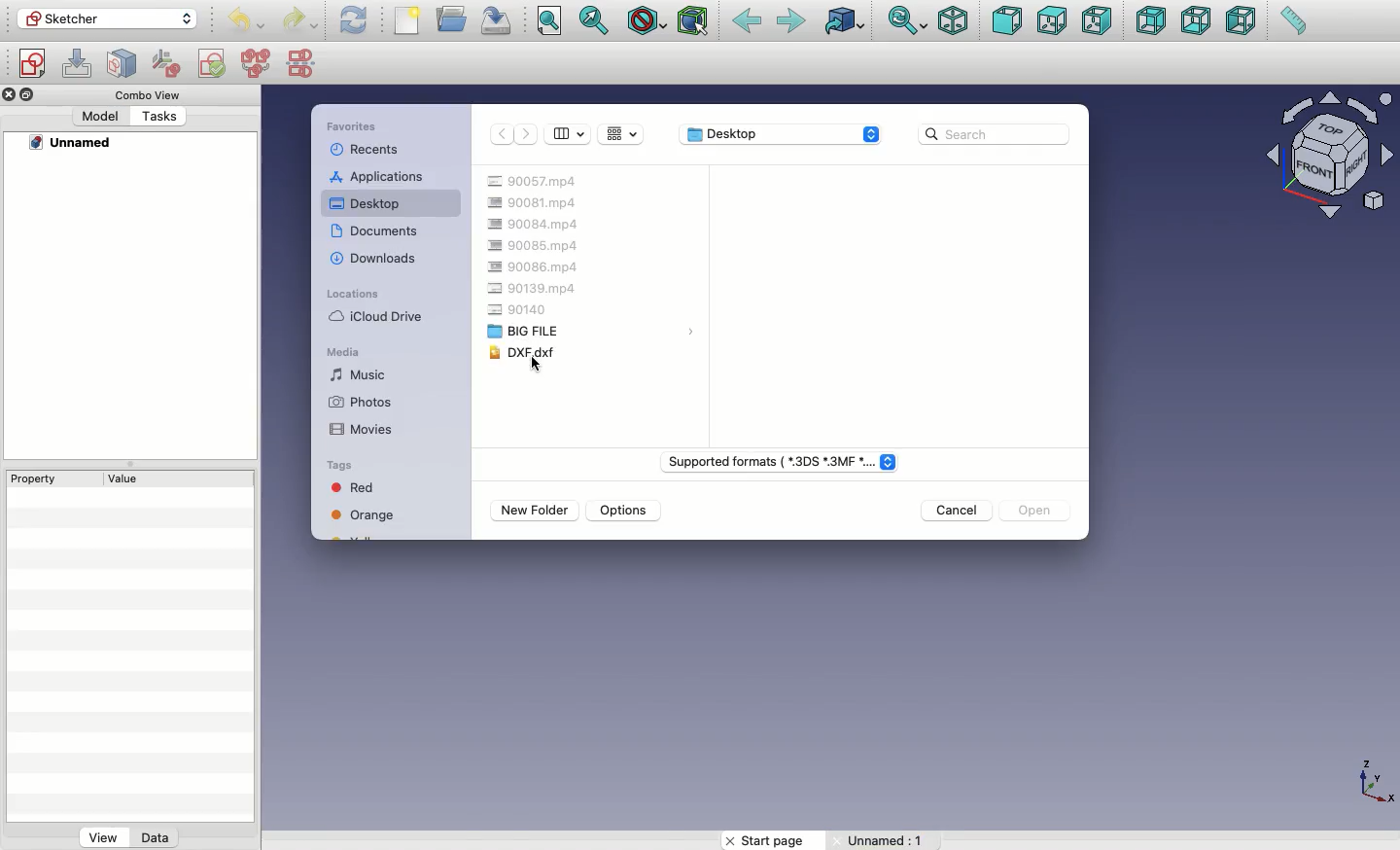  I want to click on Desktop, so click(367, 202).